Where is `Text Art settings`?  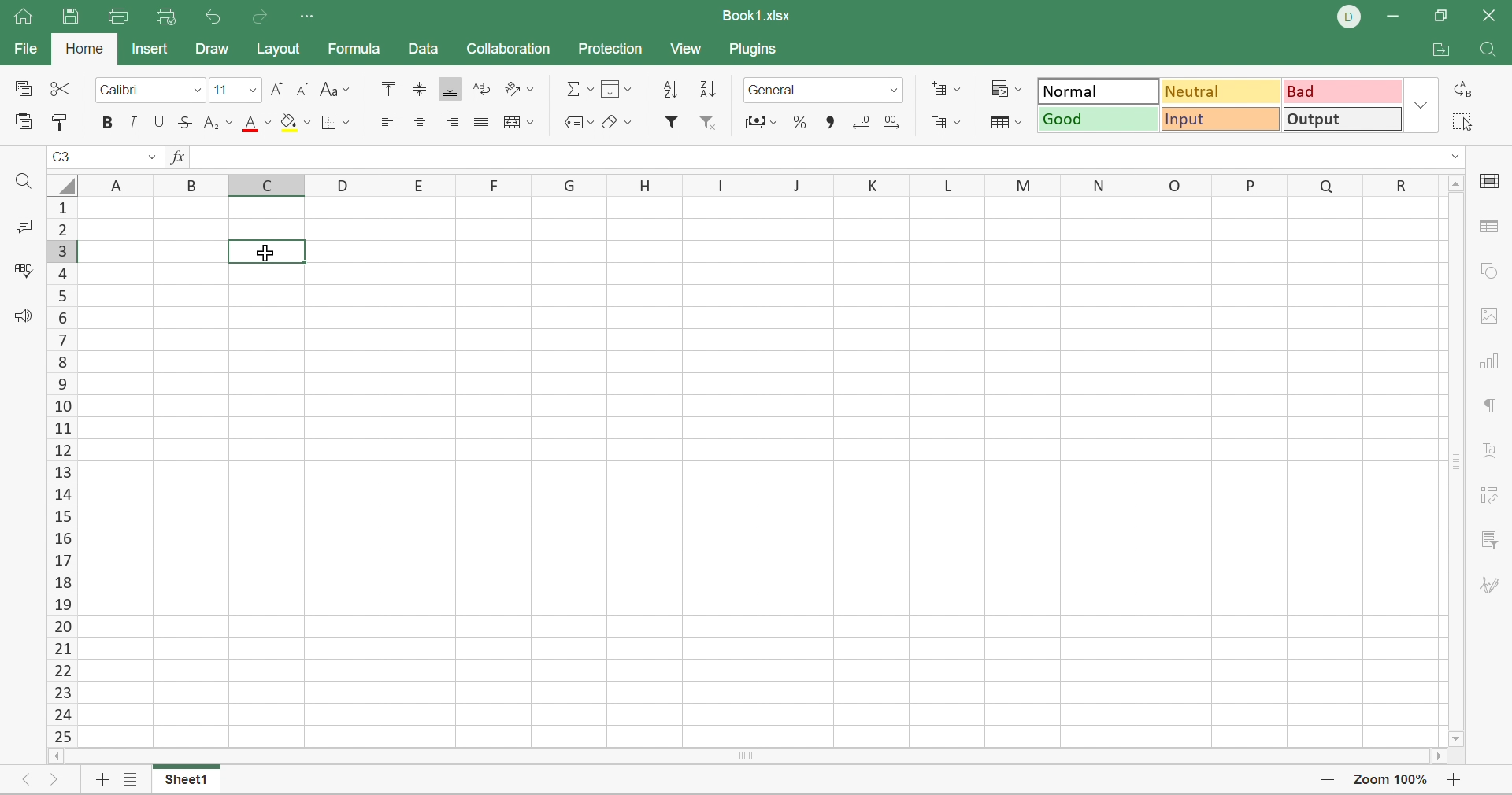 Text Art settings is located at coordinates (1492, 450).